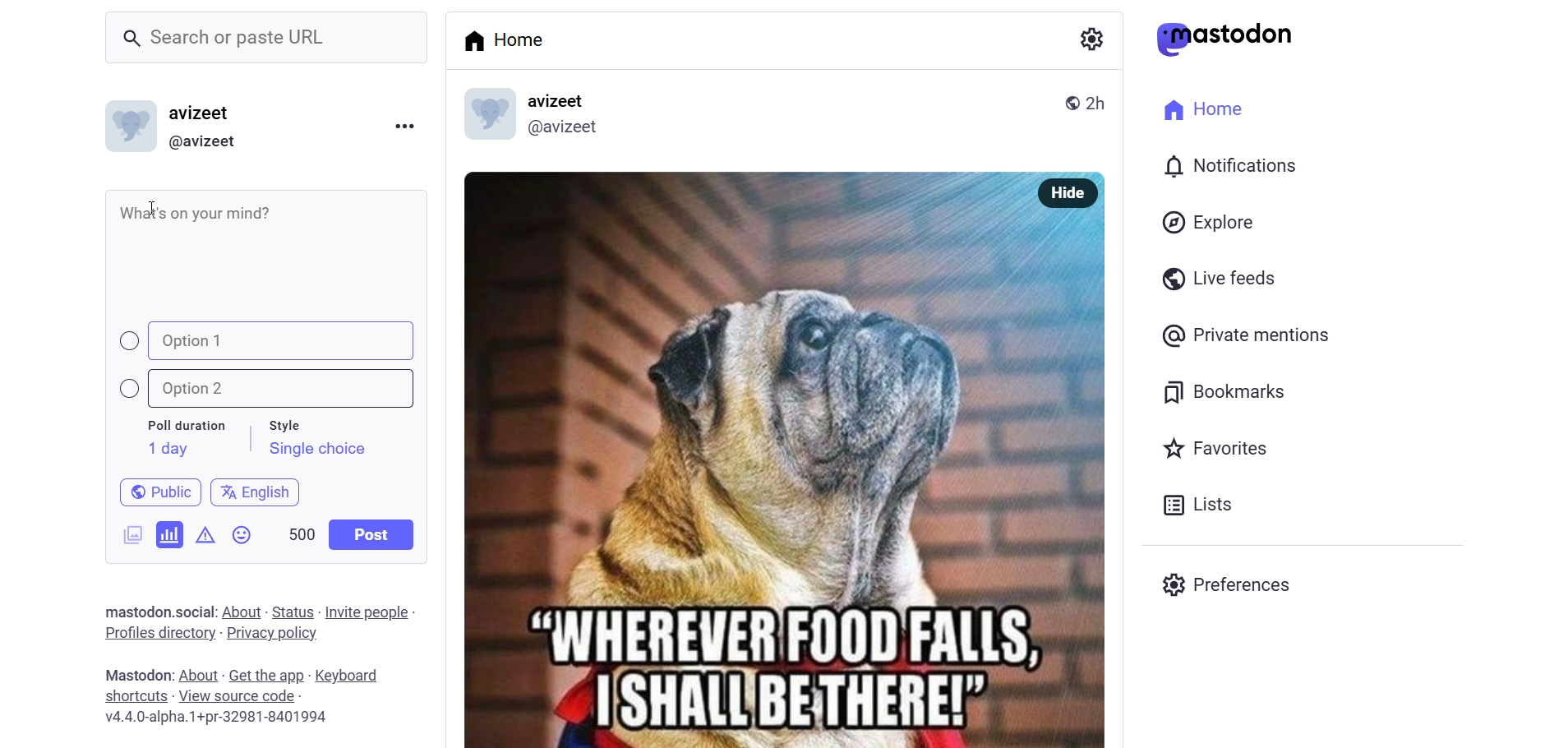 Image resolution: width=1568 pixels, height=748 pixels. What do you see at coordinates (187, 427) in the screenshot?
I see `duration` at bounding box center [187, 427].